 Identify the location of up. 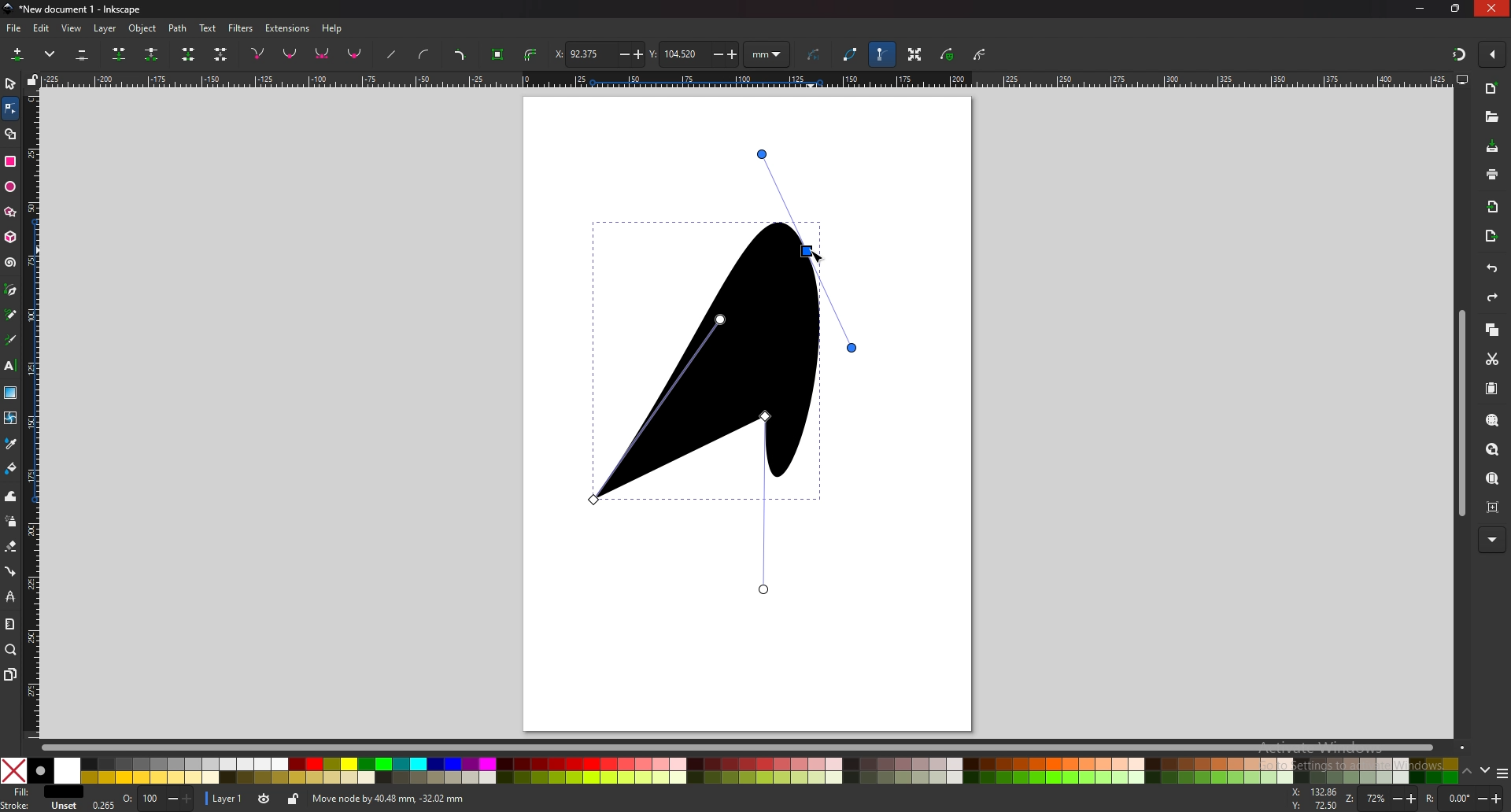
(1467, 772).